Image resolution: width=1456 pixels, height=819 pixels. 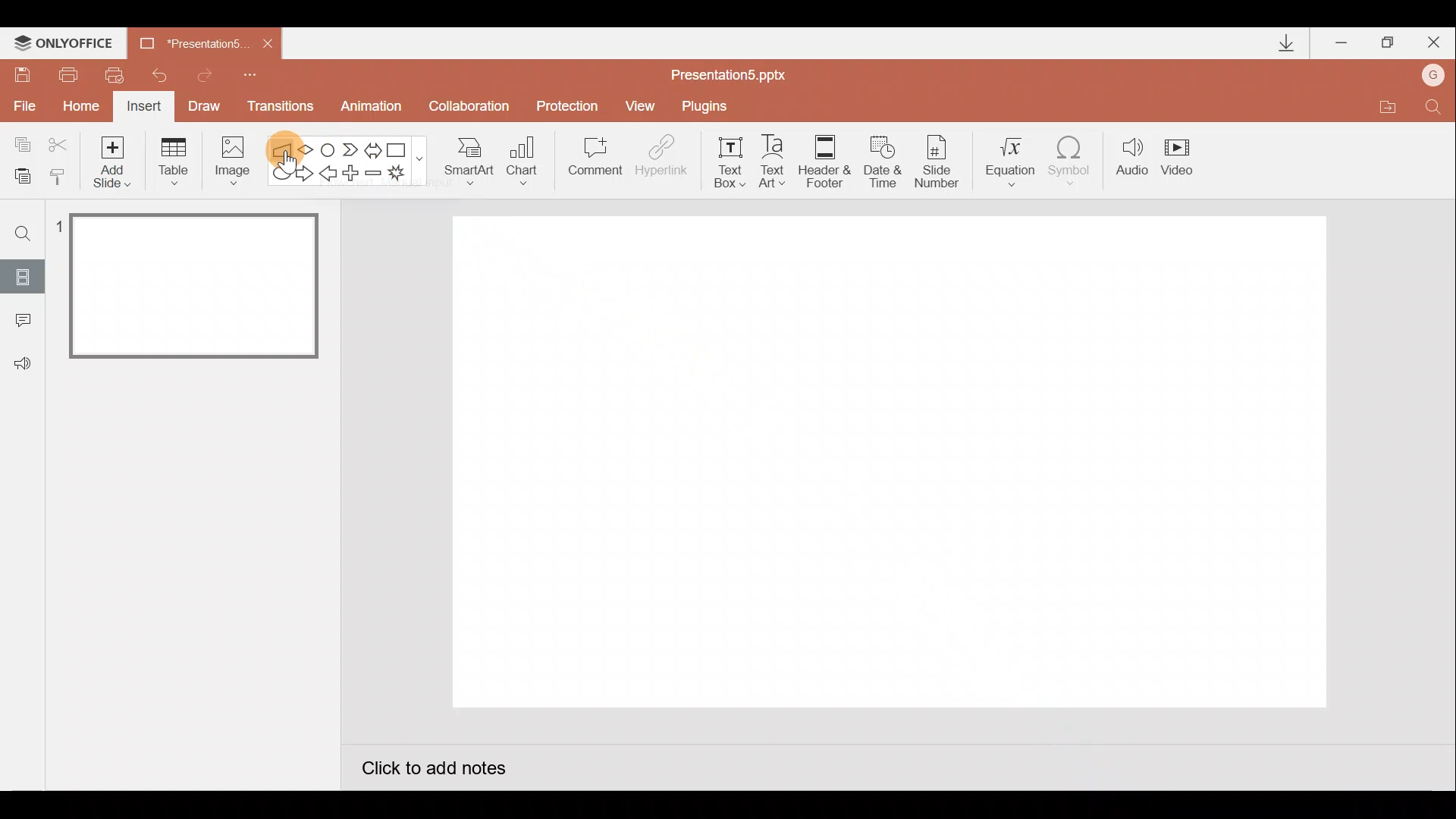 What do you see at coordinates (463, 160) in the screenshot?
I see `SmartArt` at bounding box center [463, 160].